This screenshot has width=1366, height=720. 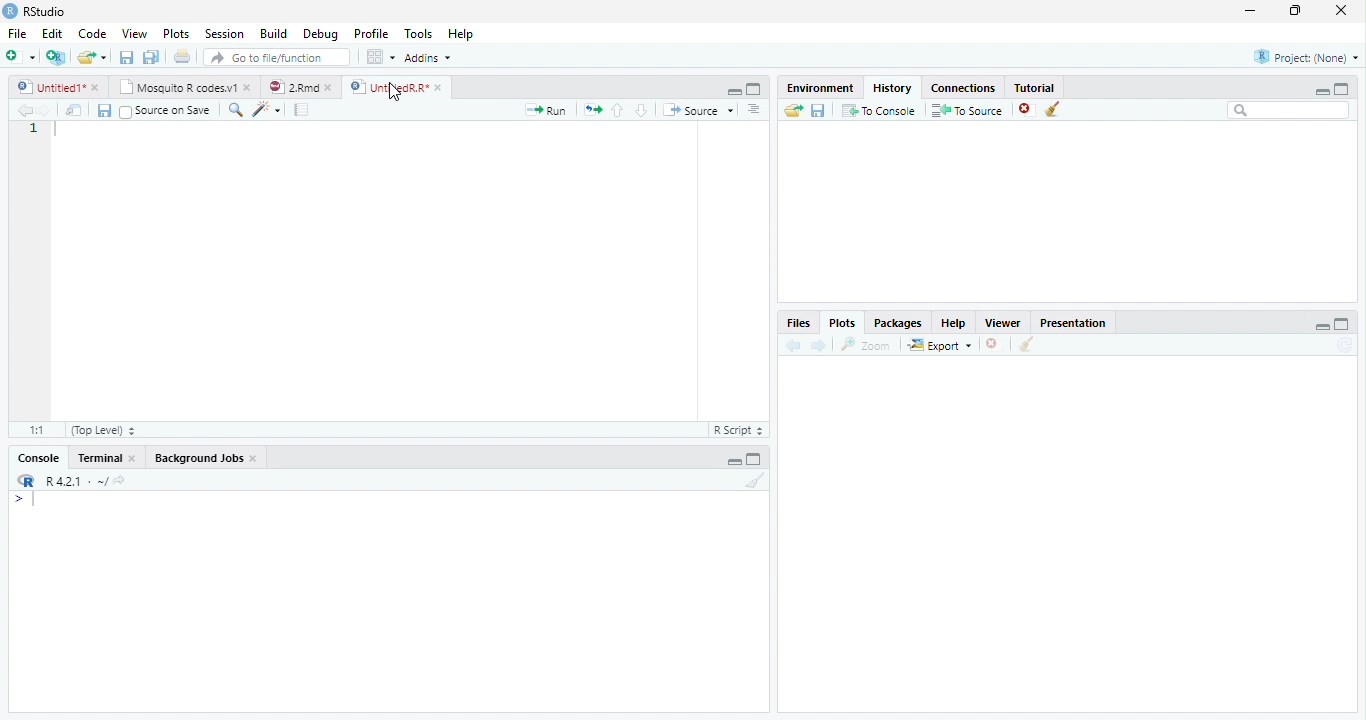 I want to click on minimize, so click(x=1322, y=91).